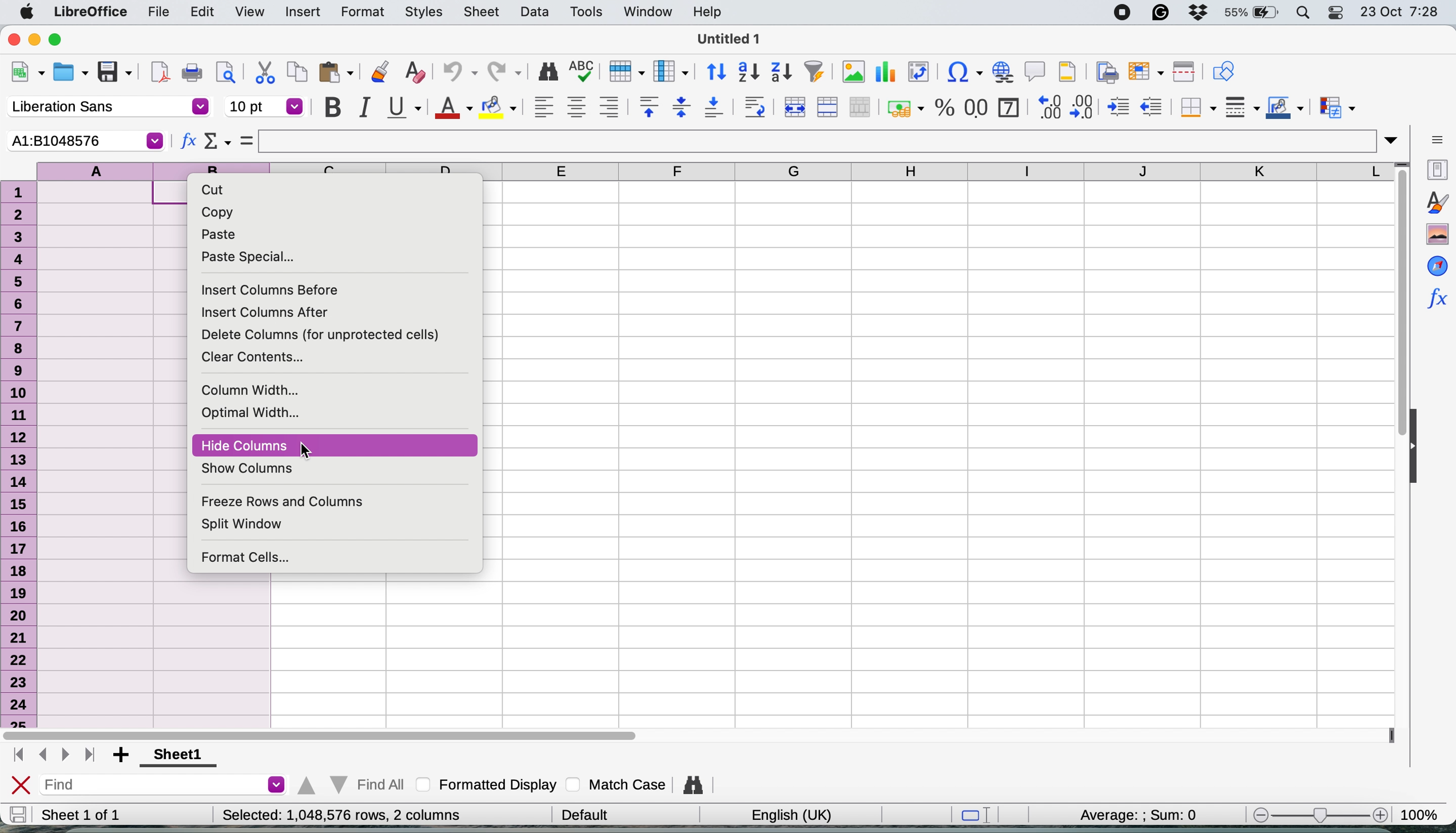 The height and width of the screenshot is (833, 1456). I want to click on insert comment, so click(1033, 72).